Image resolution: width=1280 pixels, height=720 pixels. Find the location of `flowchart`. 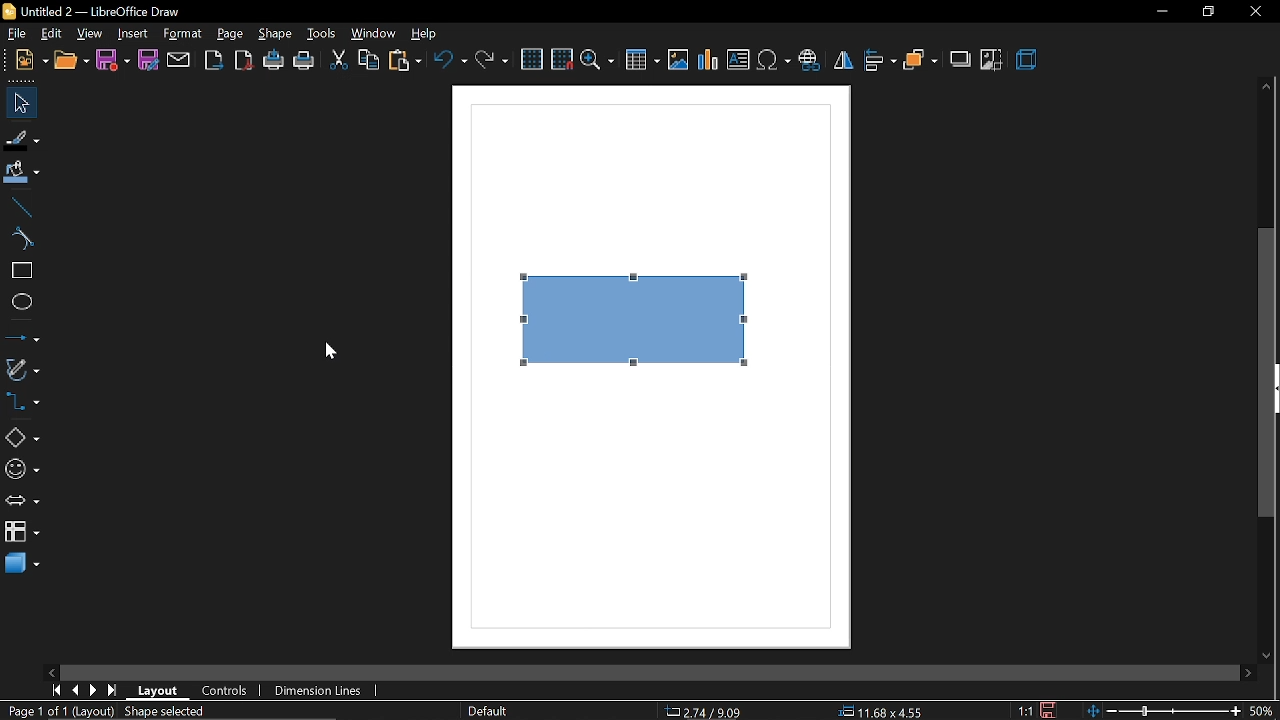

flowchart is located at coordinates (21, 531).